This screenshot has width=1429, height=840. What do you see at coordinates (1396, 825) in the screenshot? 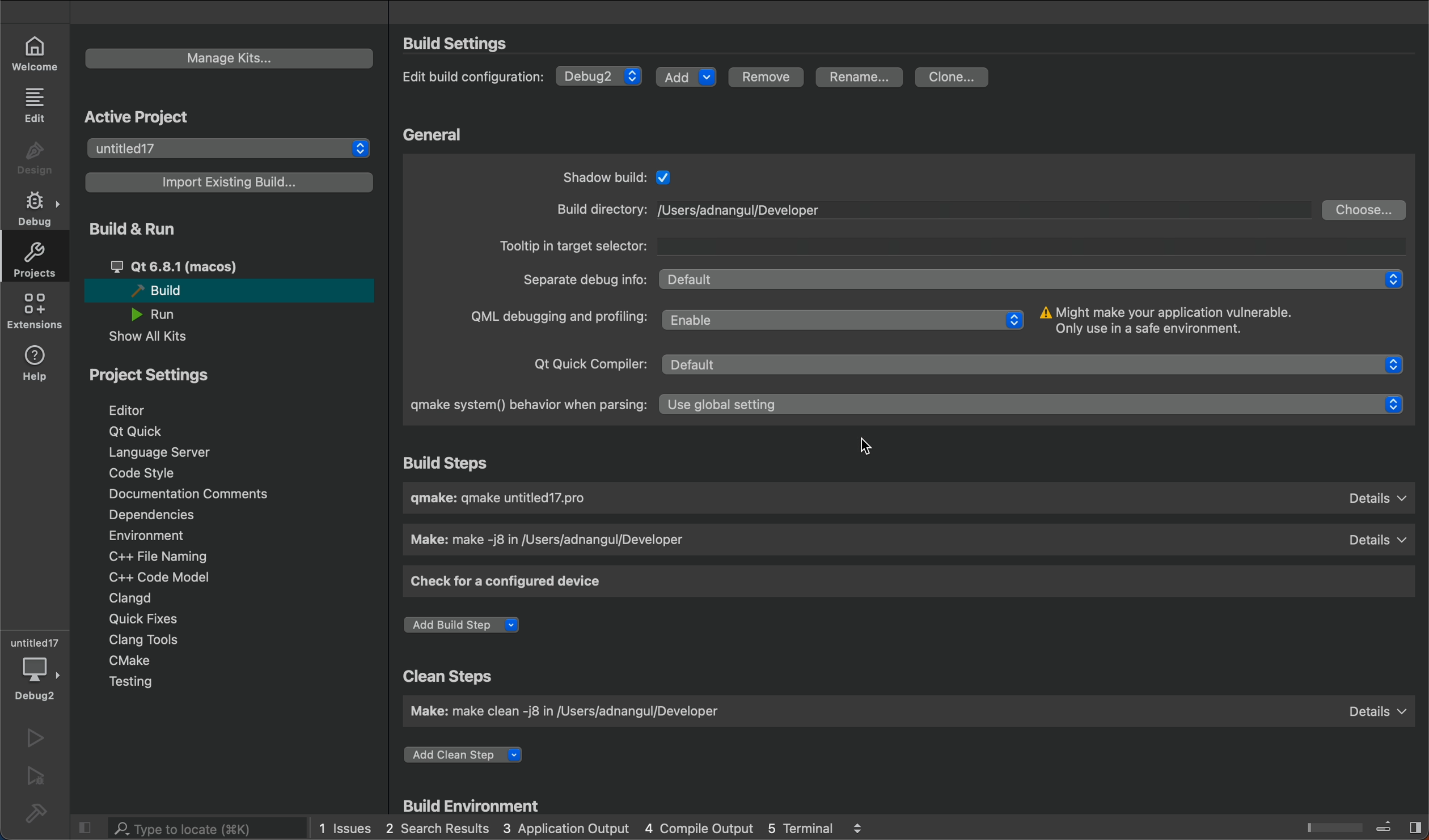
I see `toggle sidebar` at bounding box center [1396, 825].